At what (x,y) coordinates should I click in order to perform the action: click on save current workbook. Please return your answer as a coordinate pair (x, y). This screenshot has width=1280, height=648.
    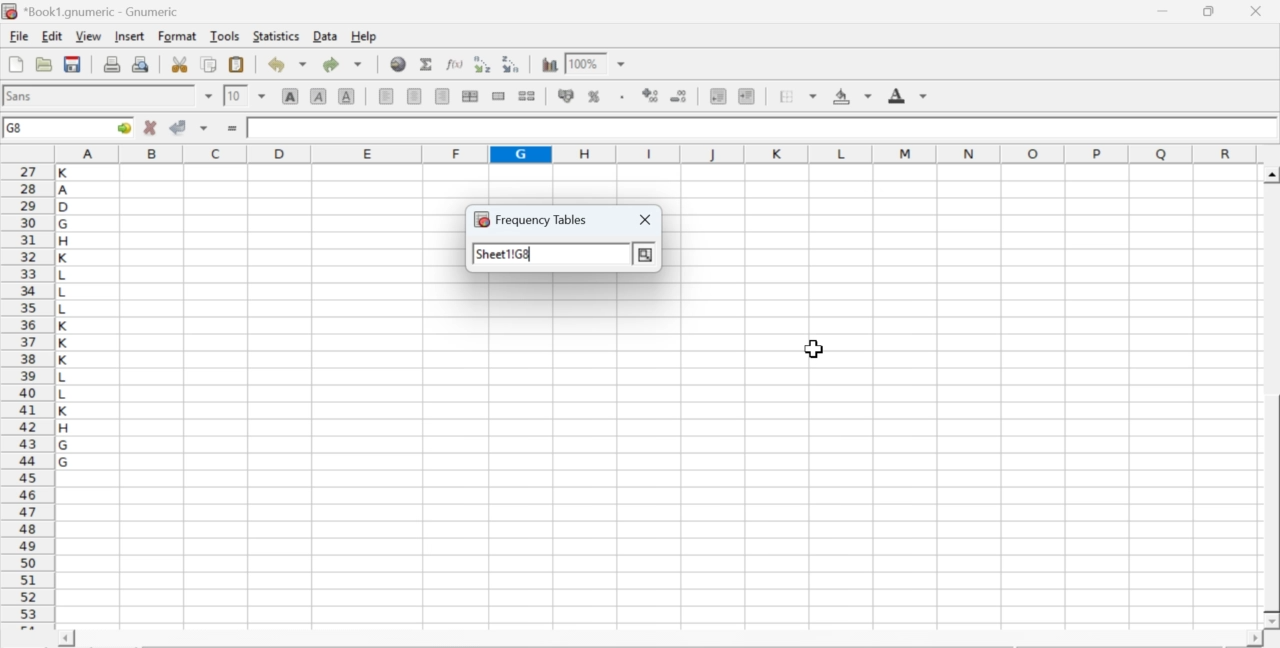
    Looking at the image, I should click on (73, 64).